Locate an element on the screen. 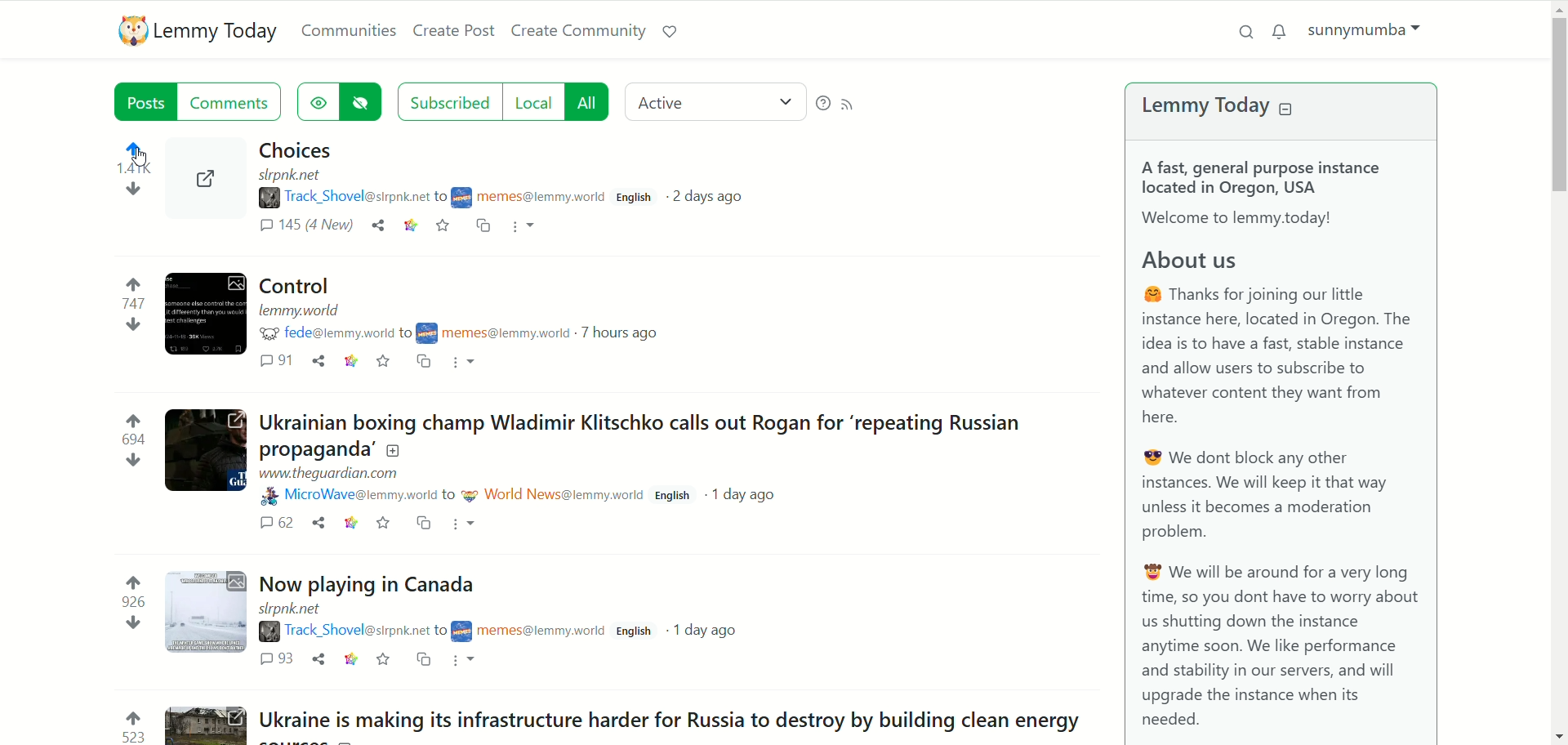 The height and width of the screenshot is (745, 1568). save is located at coordinates (385, 361).